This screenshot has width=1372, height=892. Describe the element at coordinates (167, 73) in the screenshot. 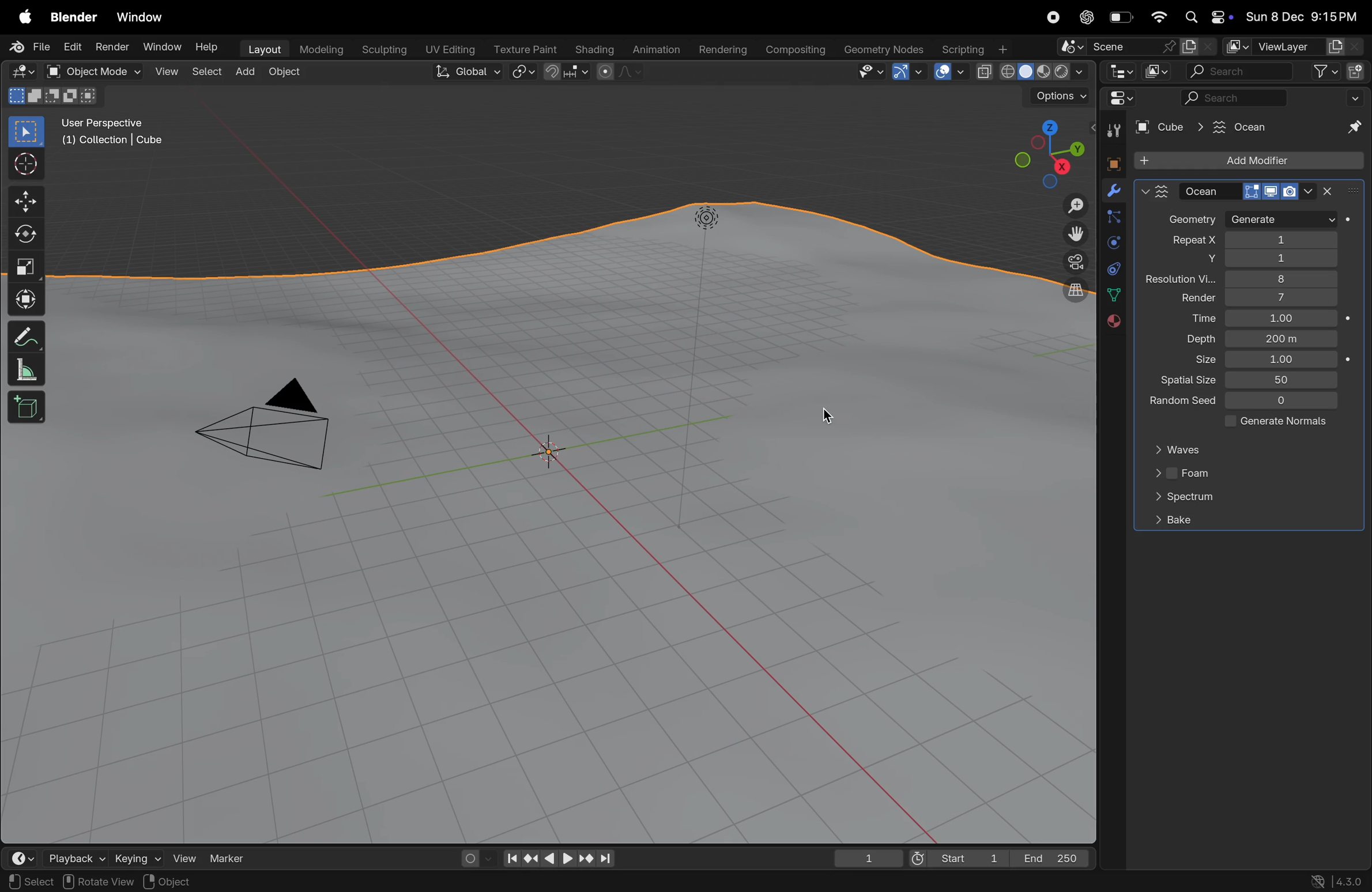

I see `view` at that location.